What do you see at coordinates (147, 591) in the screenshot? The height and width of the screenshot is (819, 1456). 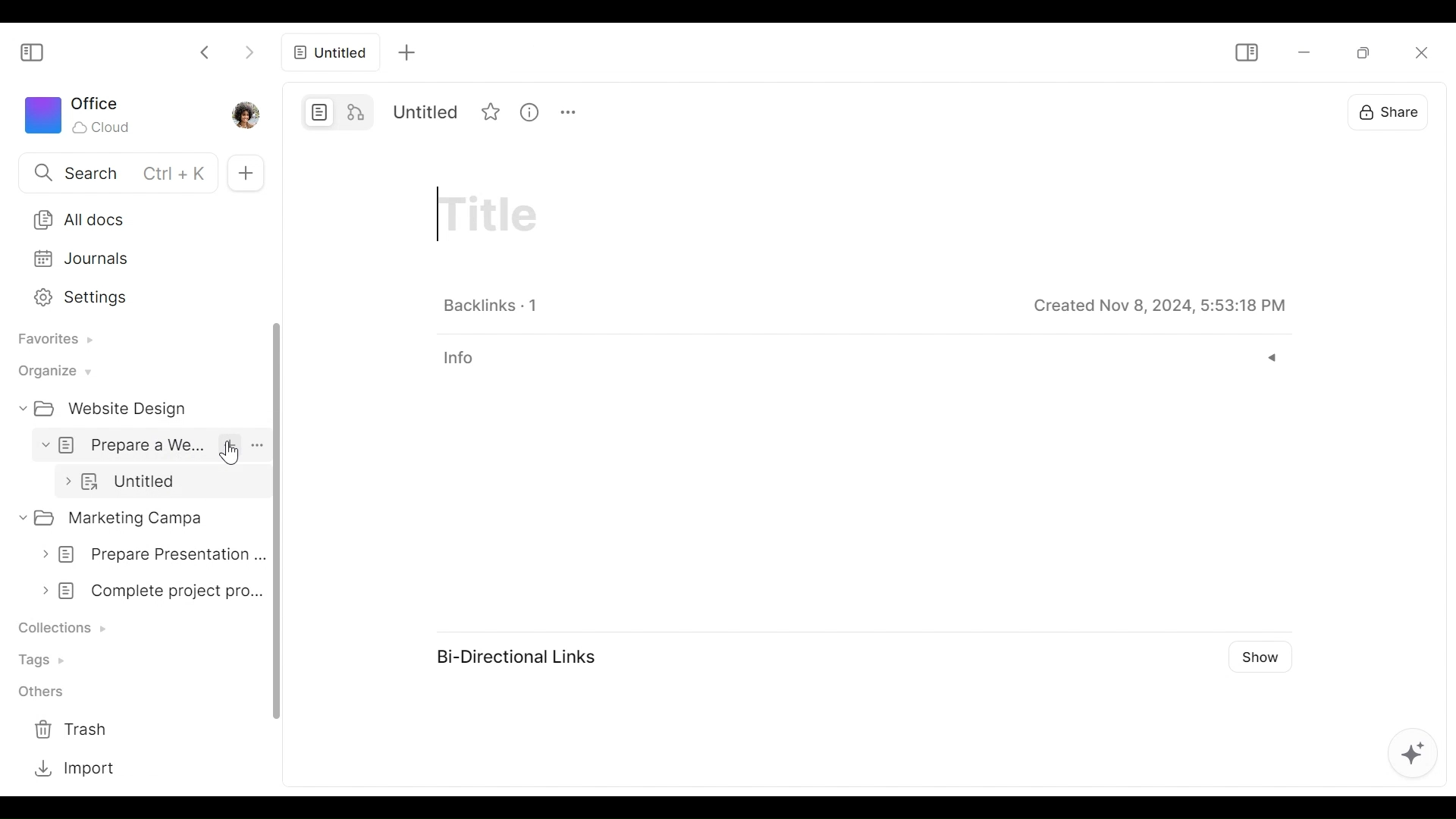 I see `Document` at bounding box center [147, 591].